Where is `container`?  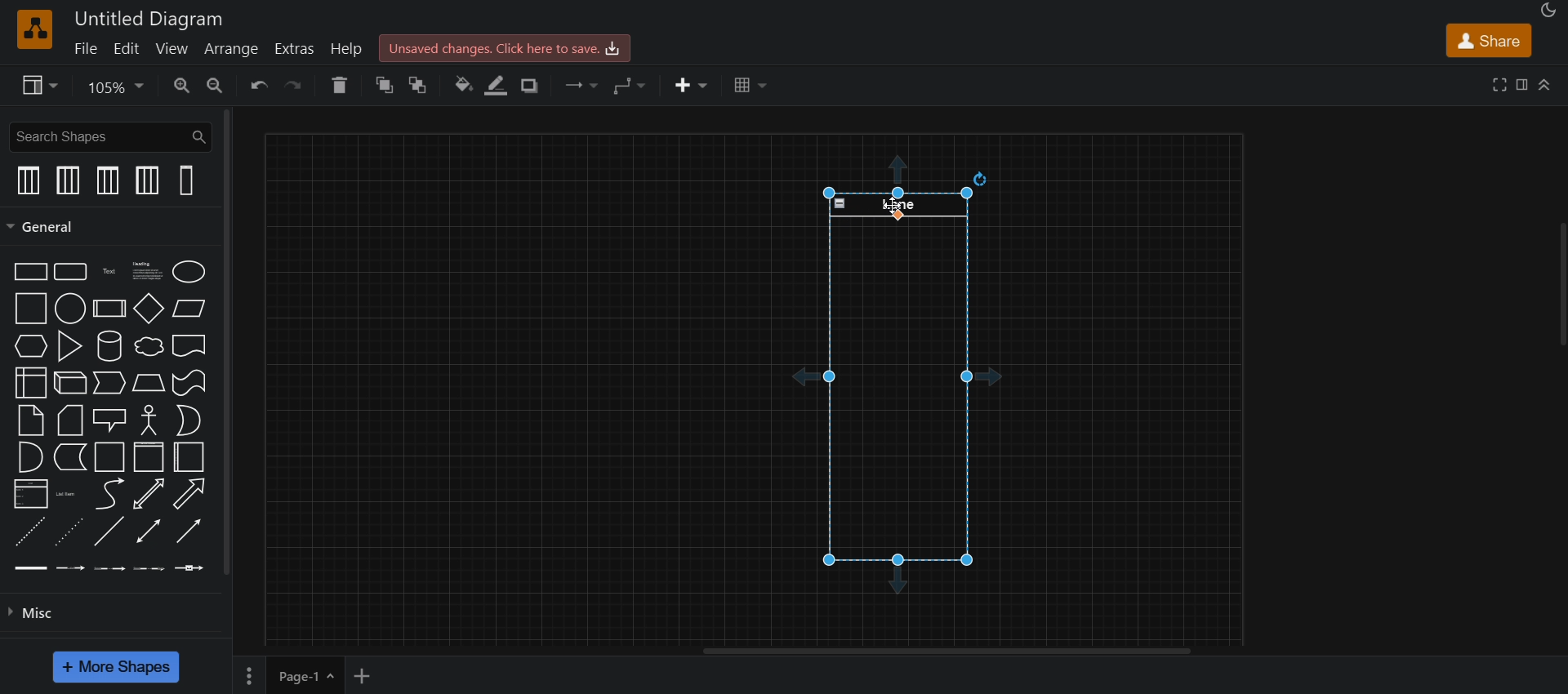 container is located at coordinates (109, 457).